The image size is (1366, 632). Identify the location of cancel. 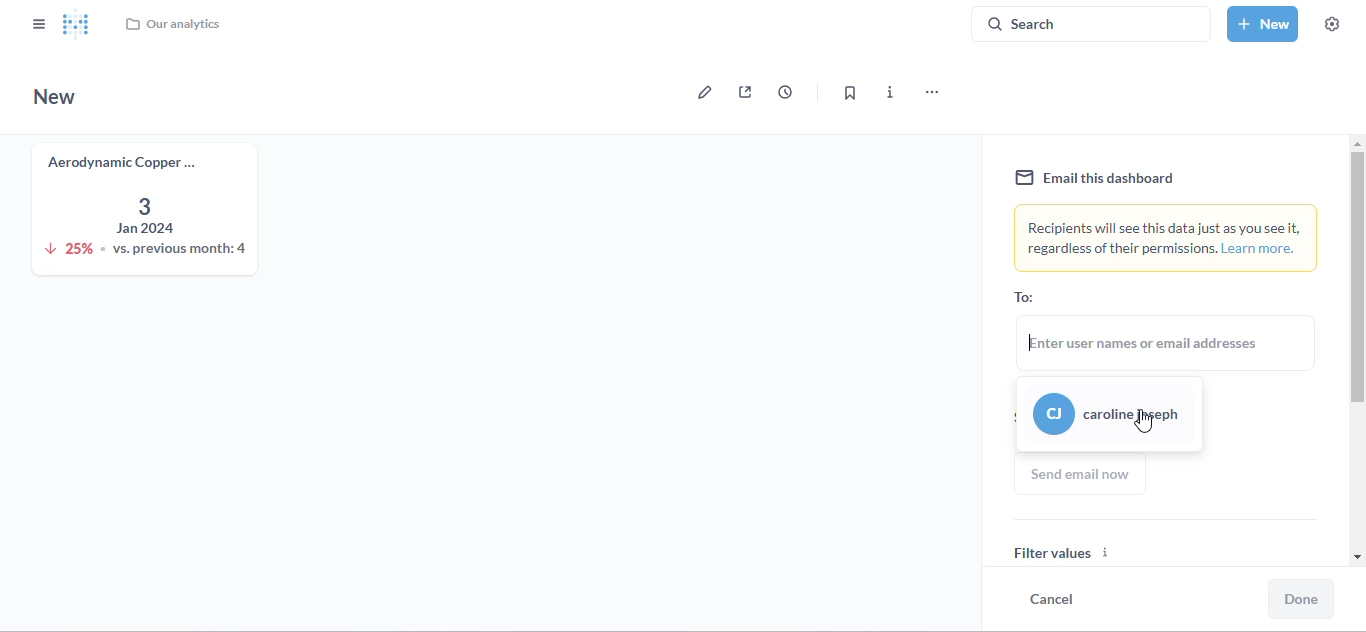
(1052, 598).